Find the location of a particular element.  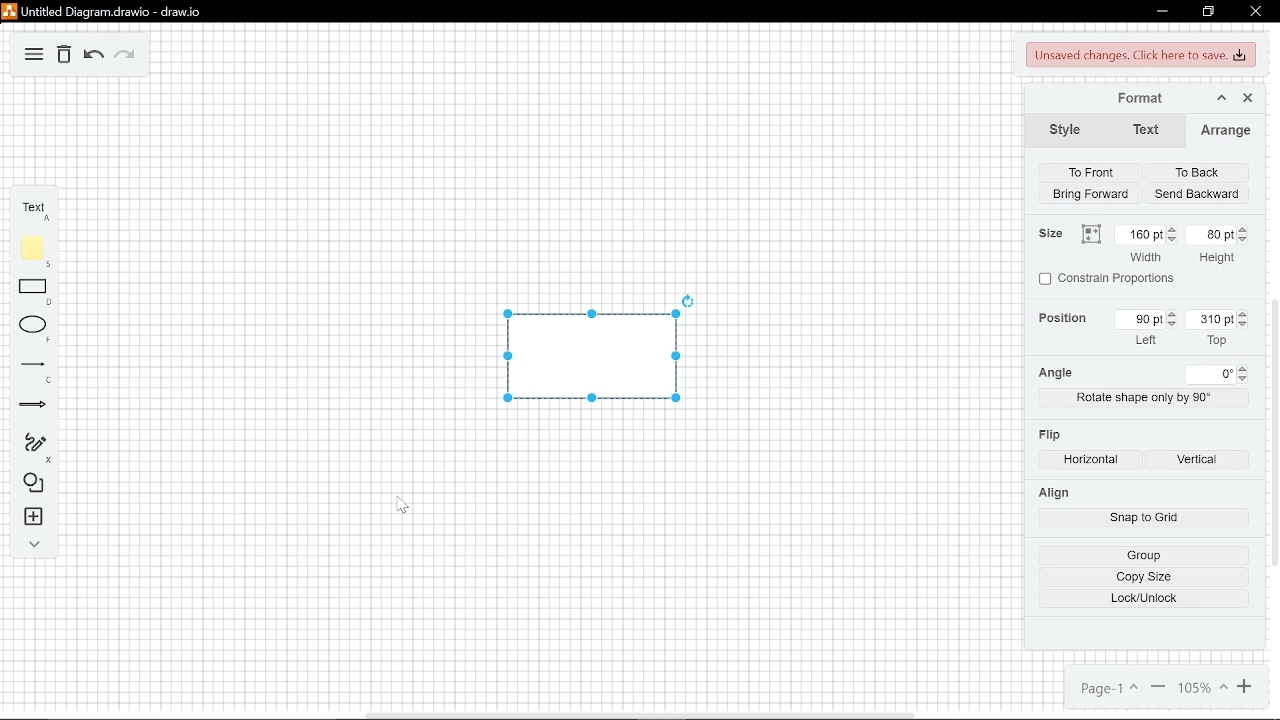

decrease current angle is located at coordinates (1243, 380).